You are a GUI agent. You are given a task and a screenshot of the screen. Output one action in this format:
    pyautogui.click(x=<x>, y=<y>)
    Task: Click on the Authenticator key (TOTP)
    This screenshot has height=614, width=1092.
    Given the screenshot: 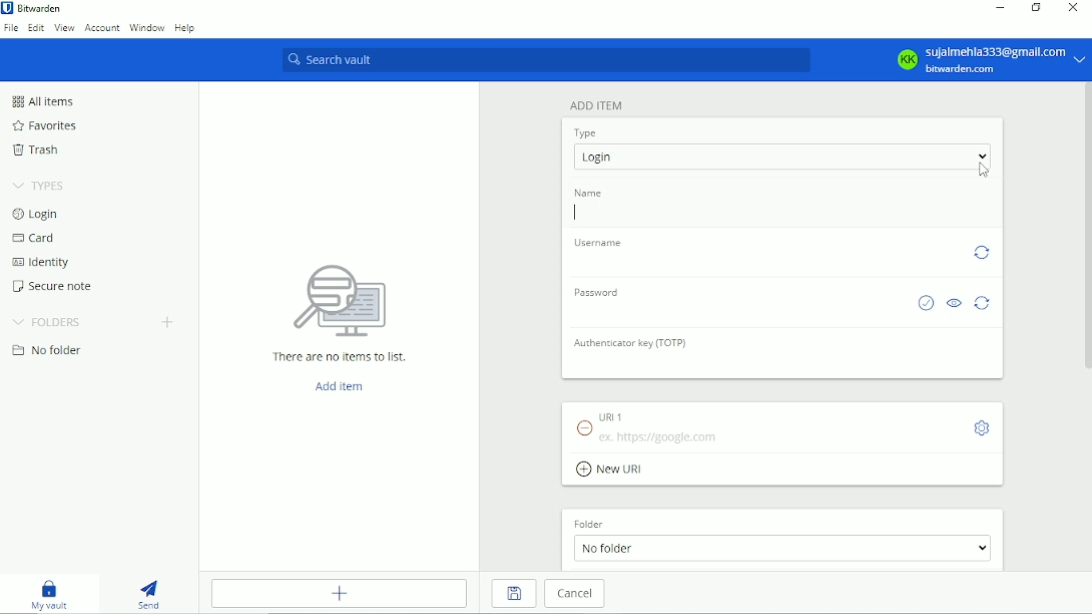 What is the action you would take?
    pyautogui.click(x=635, y=347)
    